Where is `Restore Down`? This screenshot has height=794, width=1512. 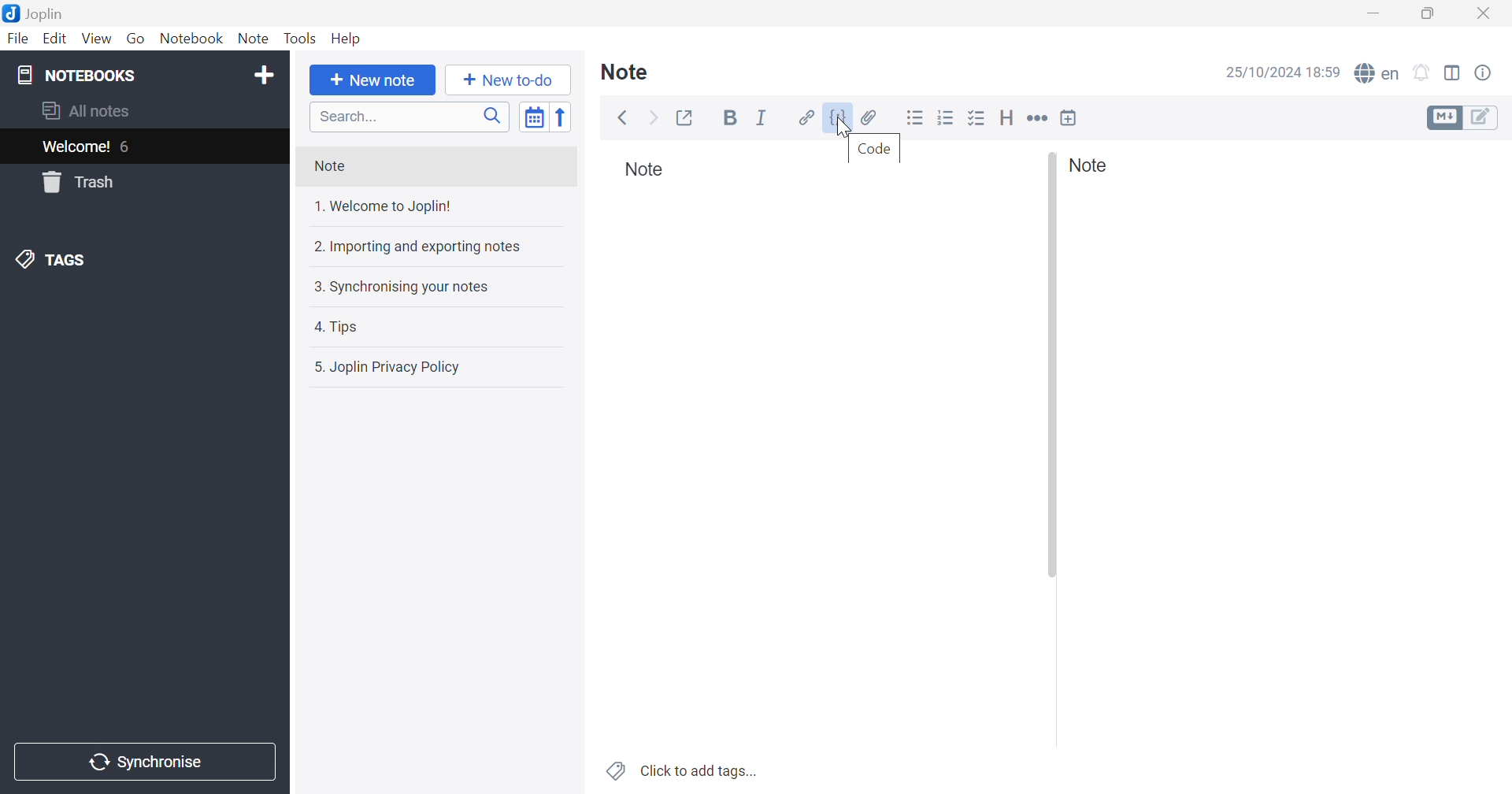
Restore Down is located at coordinates (1429, 16).